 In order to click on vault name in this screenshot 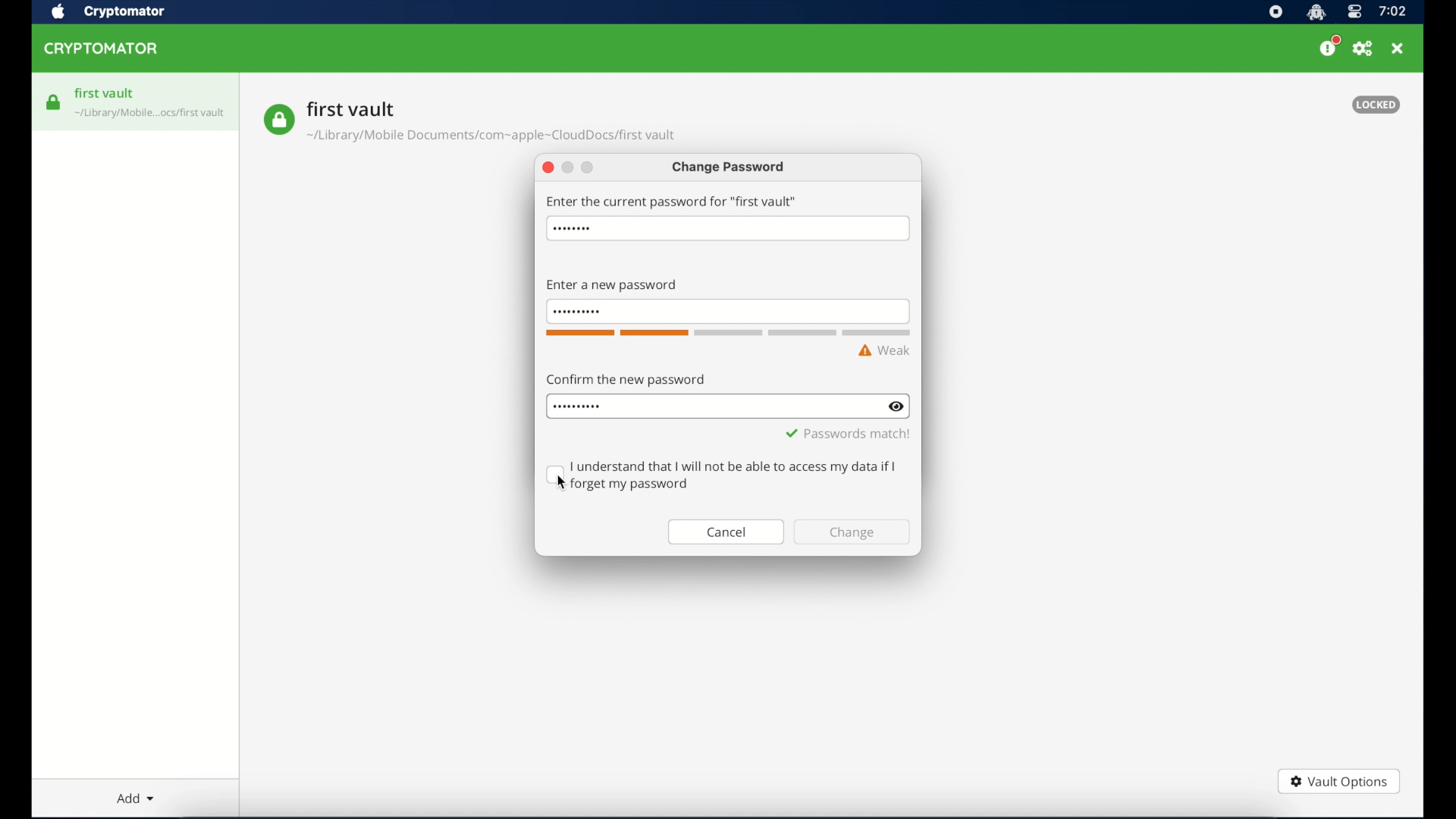, I will do `click(351, 108)`.